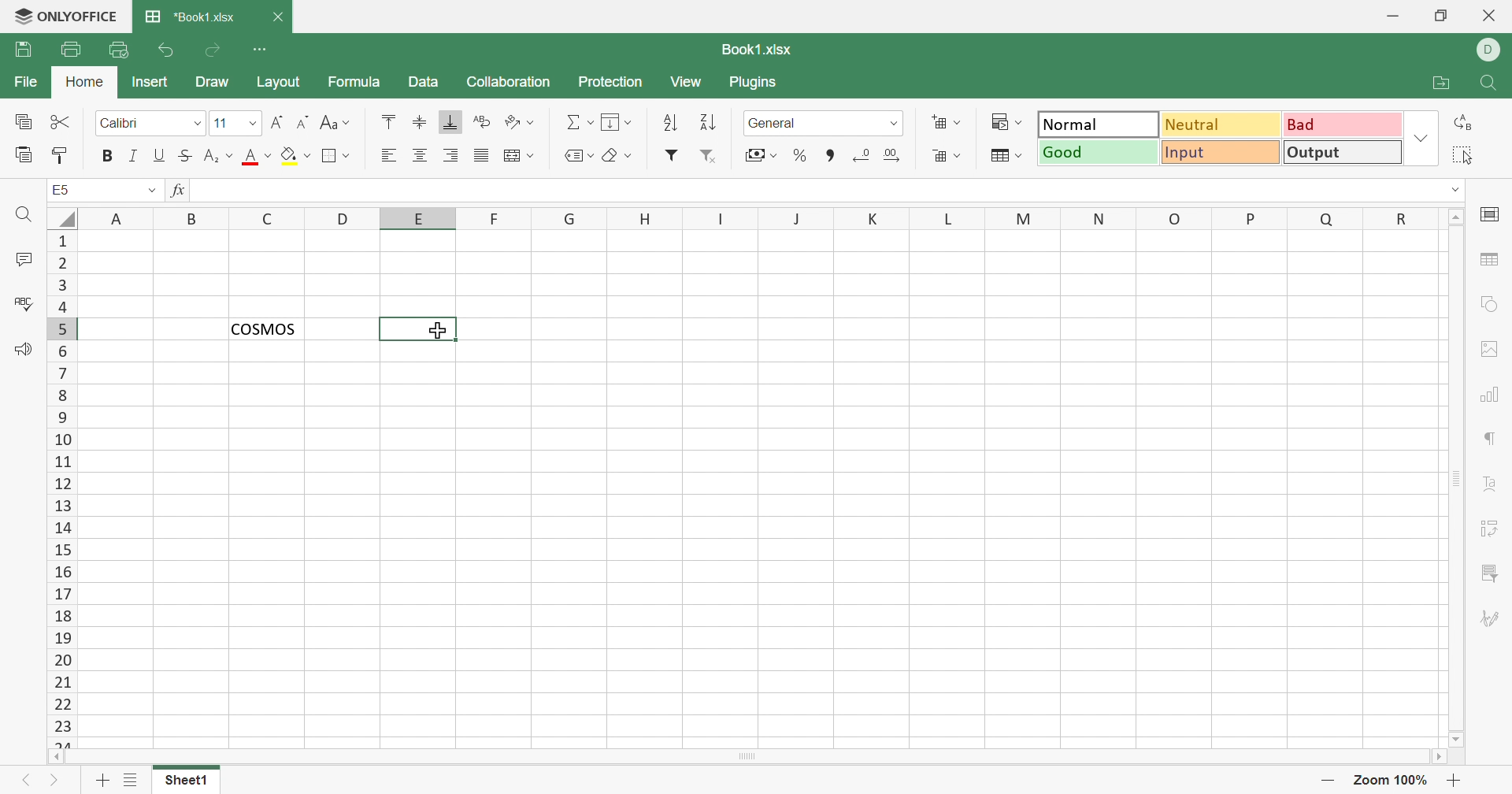 This screenshot has width=1512, height=794. Describe the element at coordinates (303, 121) in the screenshot. I see `Decrement font size` at that location.